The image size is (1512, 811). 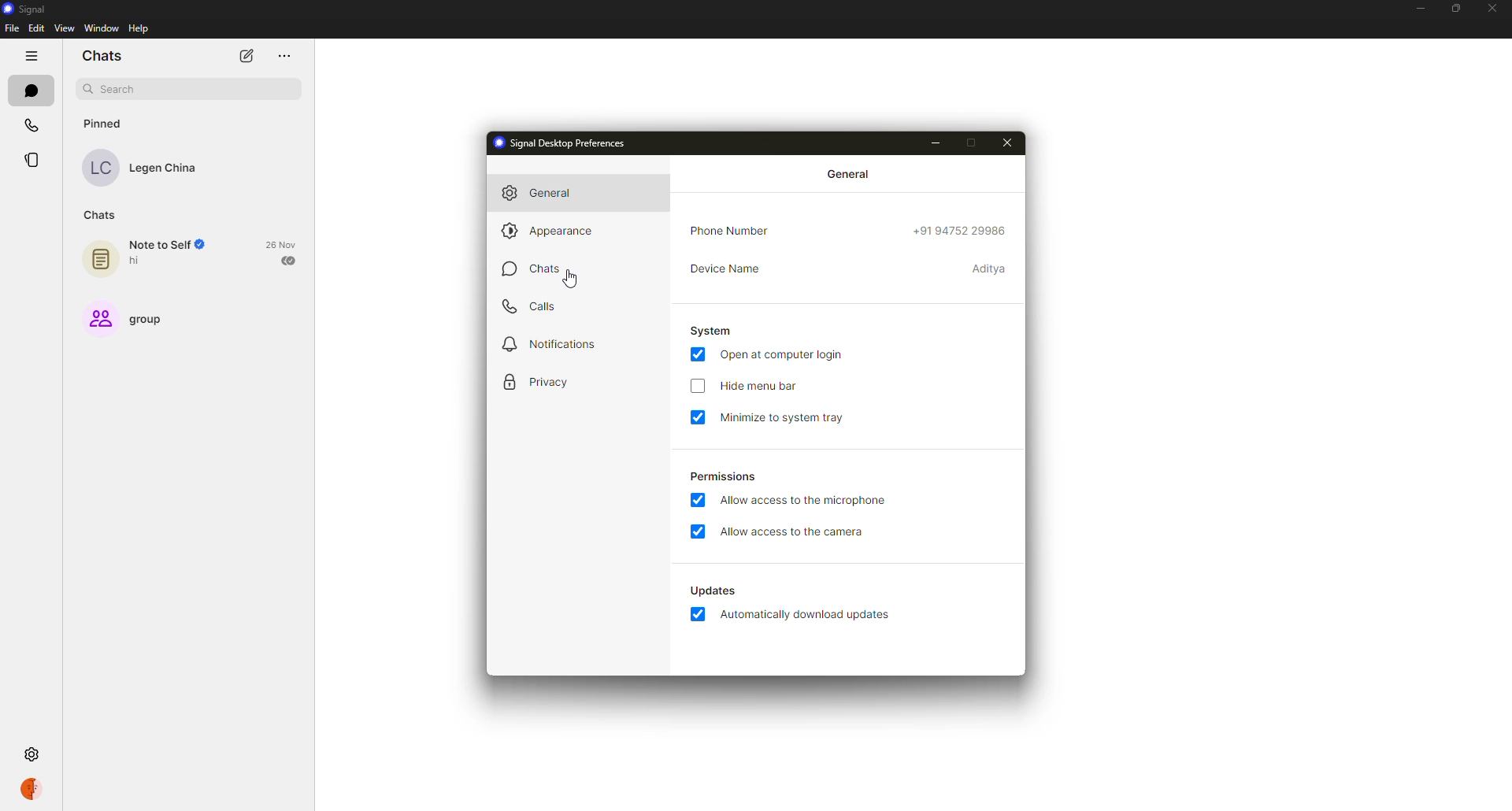 I want to click on view, so click(x=65, y=28).